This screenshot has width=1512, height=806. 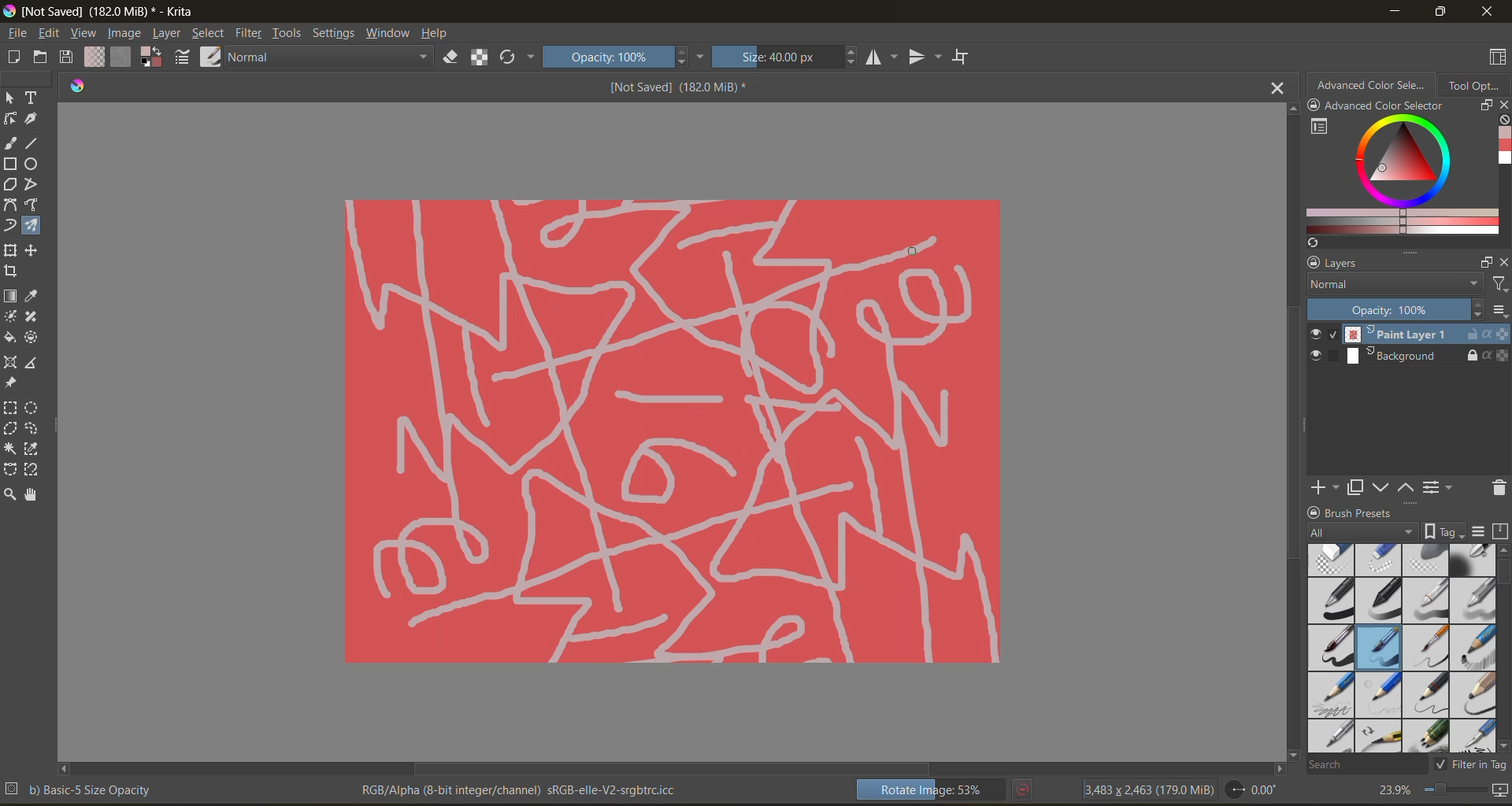 I want to click on minimize, so click(x=1395, y=10).